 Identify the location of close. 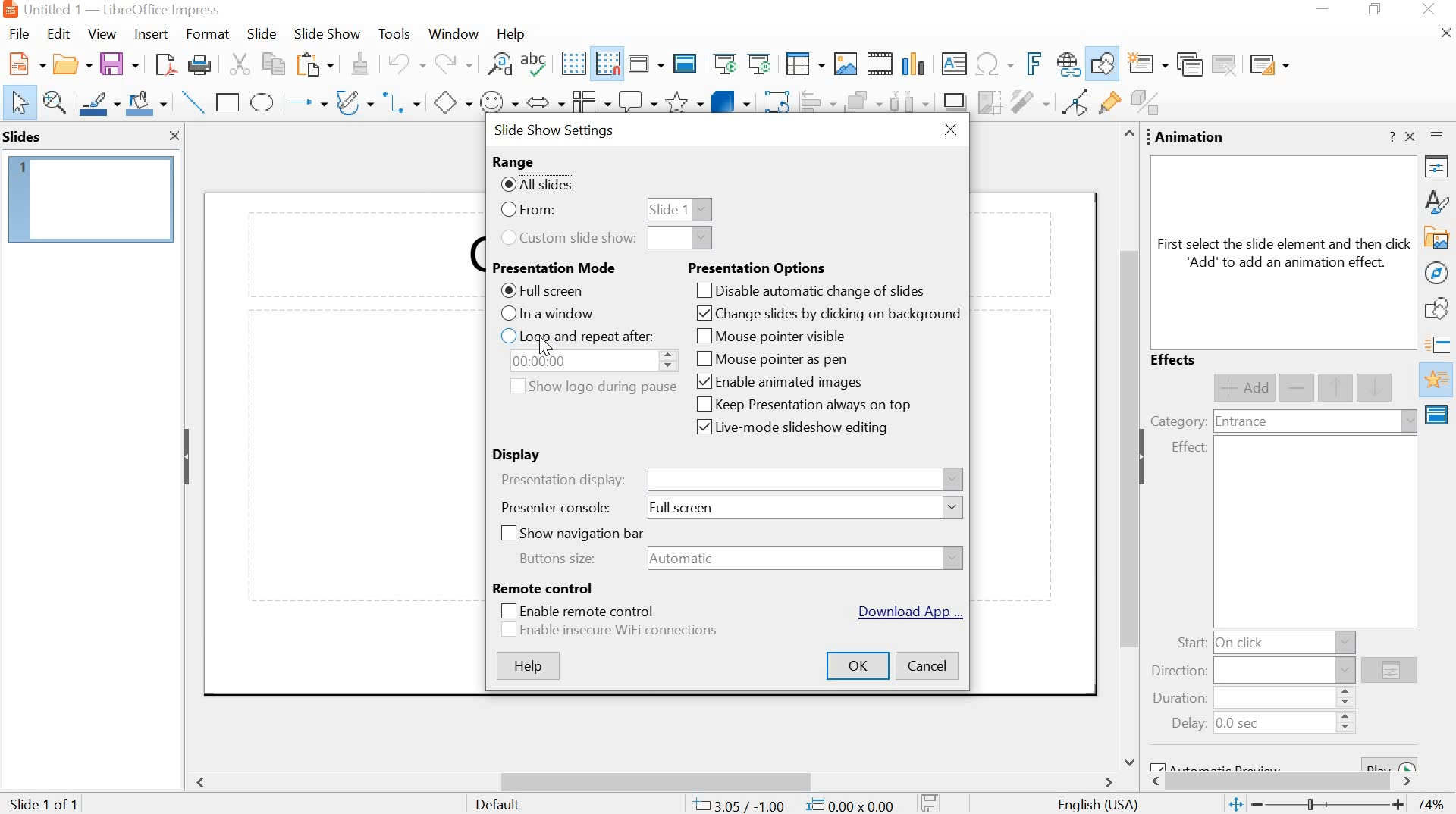
(175, 137).